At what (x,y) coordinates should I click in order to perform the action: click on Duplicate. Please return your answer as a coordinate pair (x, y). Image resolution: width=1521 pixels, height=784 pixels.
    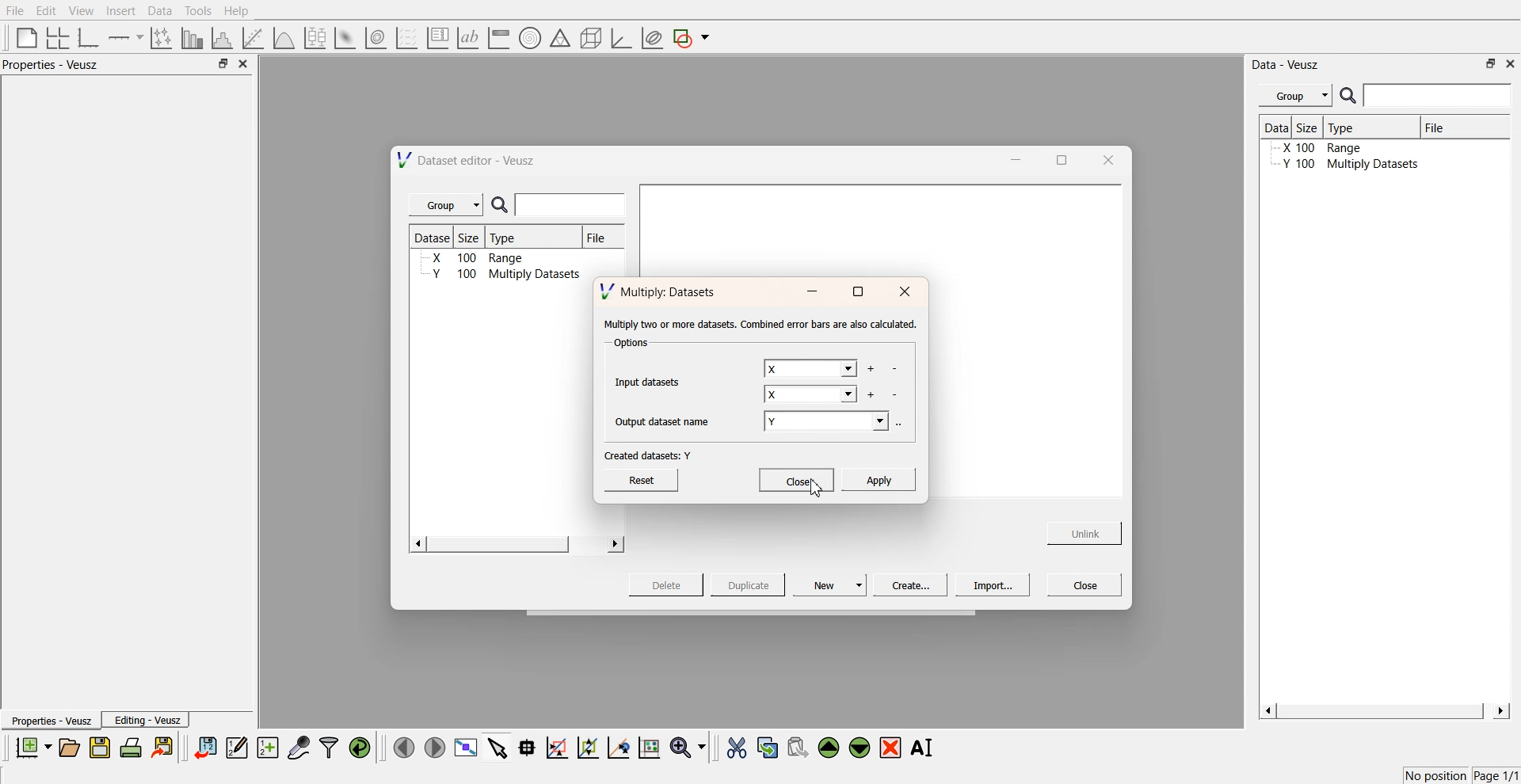
    Looking at the image, I should click on (748, 586).